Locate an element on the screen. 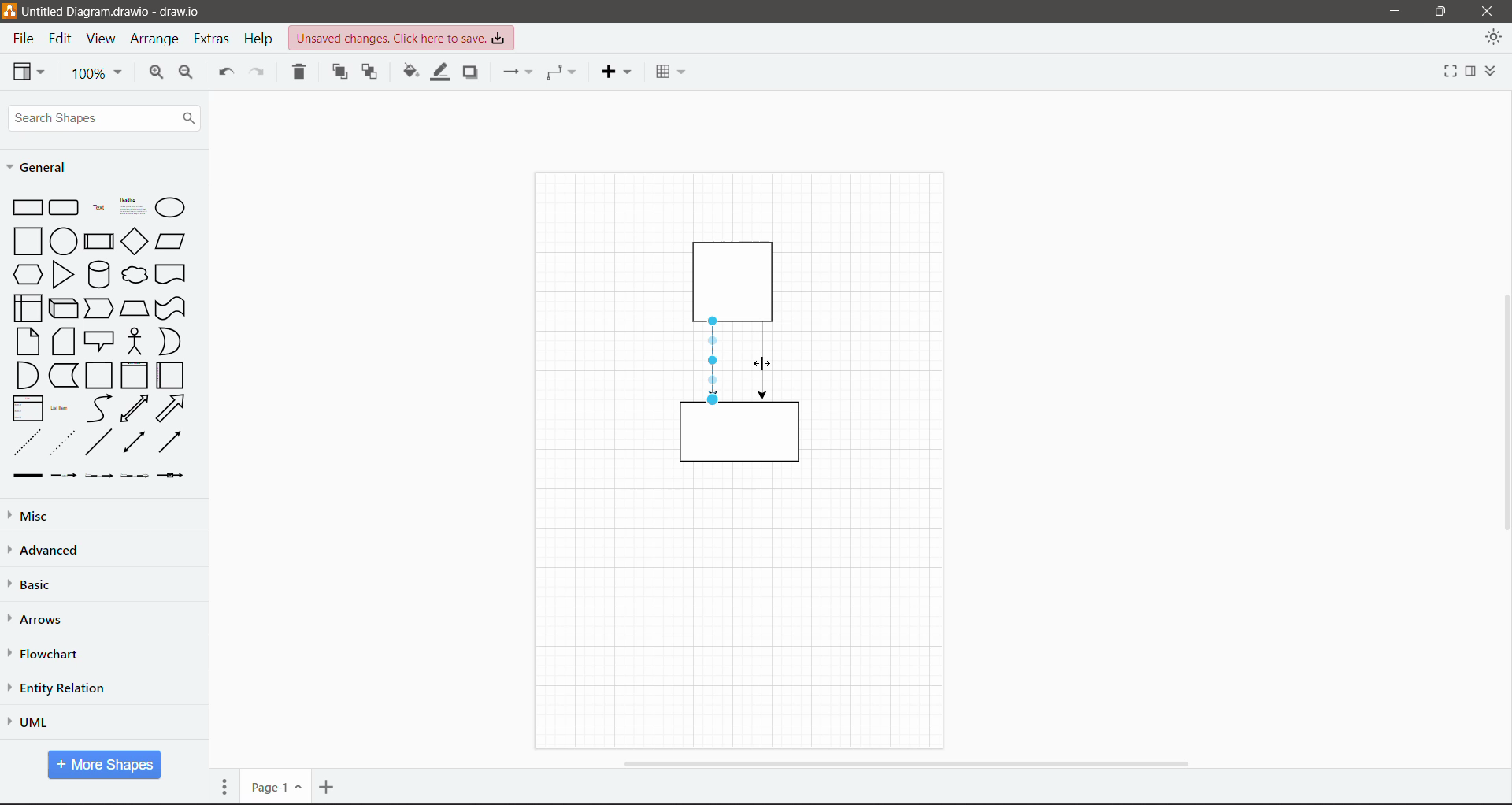 The width and height of the screenshot is (1512, 805). connector with 3 labels is located at coordinates (135, 476).